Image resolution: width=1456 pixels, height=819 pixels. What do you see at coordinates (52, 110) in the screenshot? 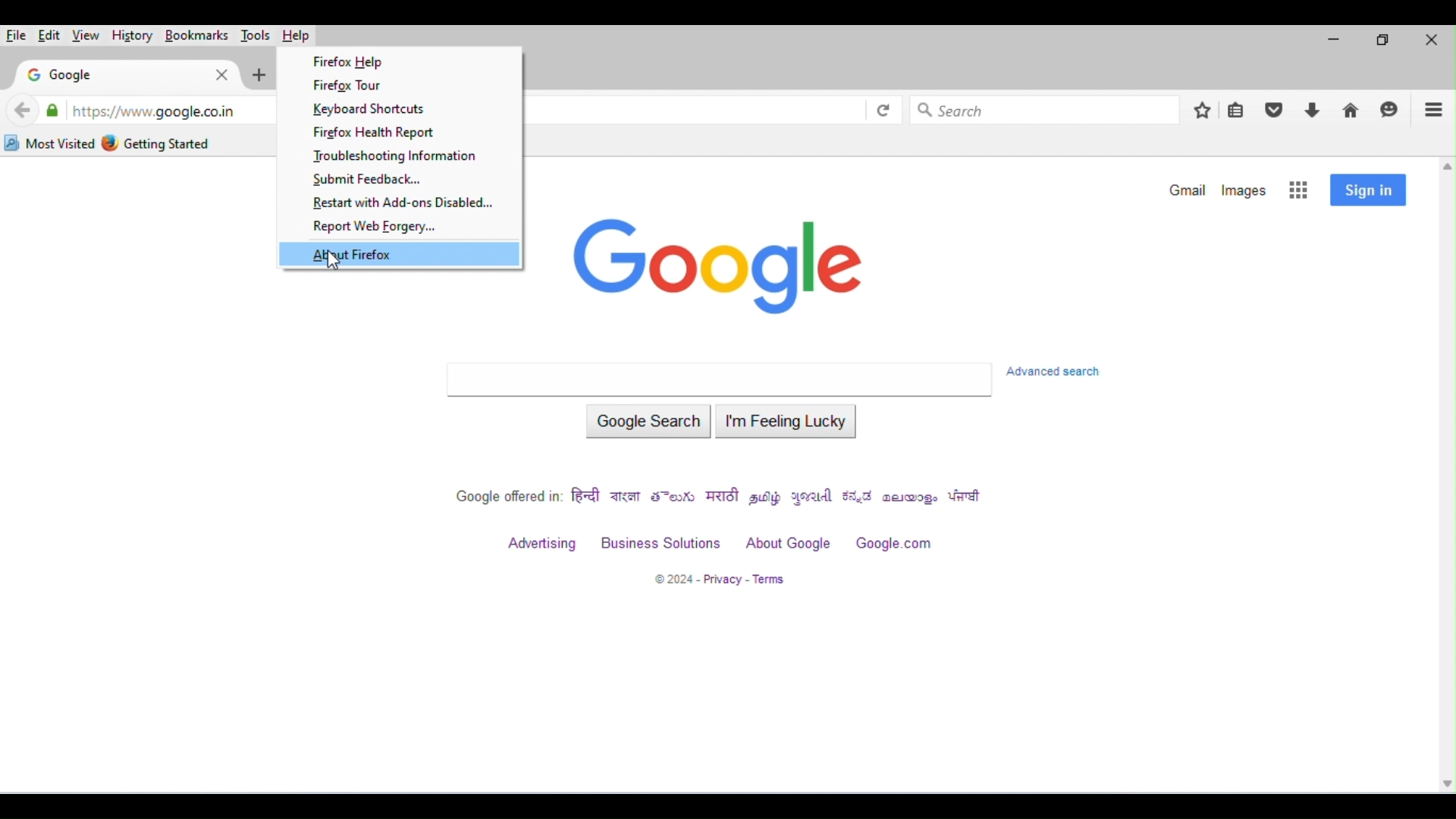
I see `verified by: google trust services` at bounding box center [52, 110].